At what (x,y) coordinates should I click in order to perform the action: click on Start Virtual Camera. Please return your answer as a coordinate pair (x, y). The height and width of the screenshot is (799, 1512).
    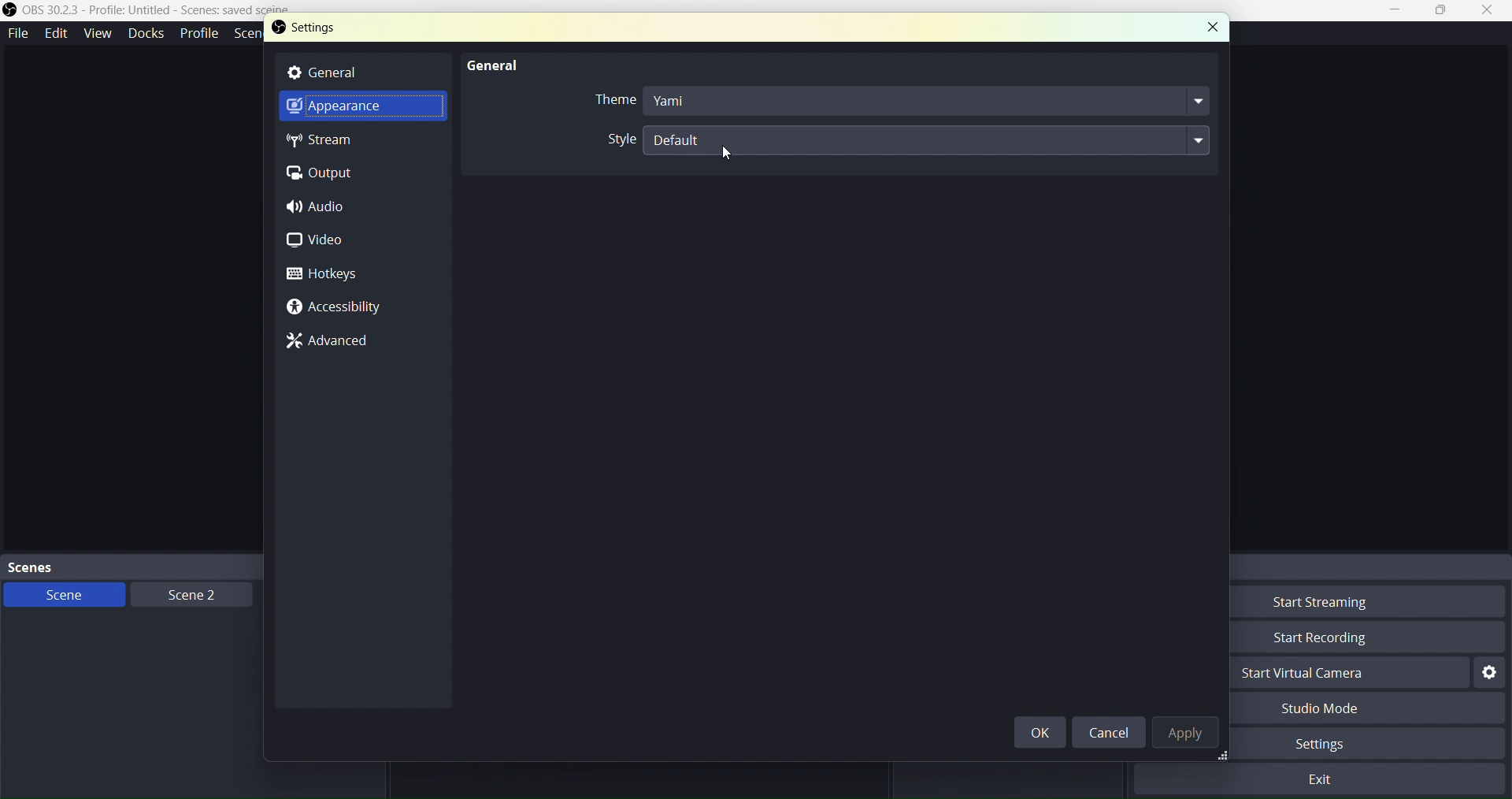
    Looking at the image, I should click on (1343, 675).